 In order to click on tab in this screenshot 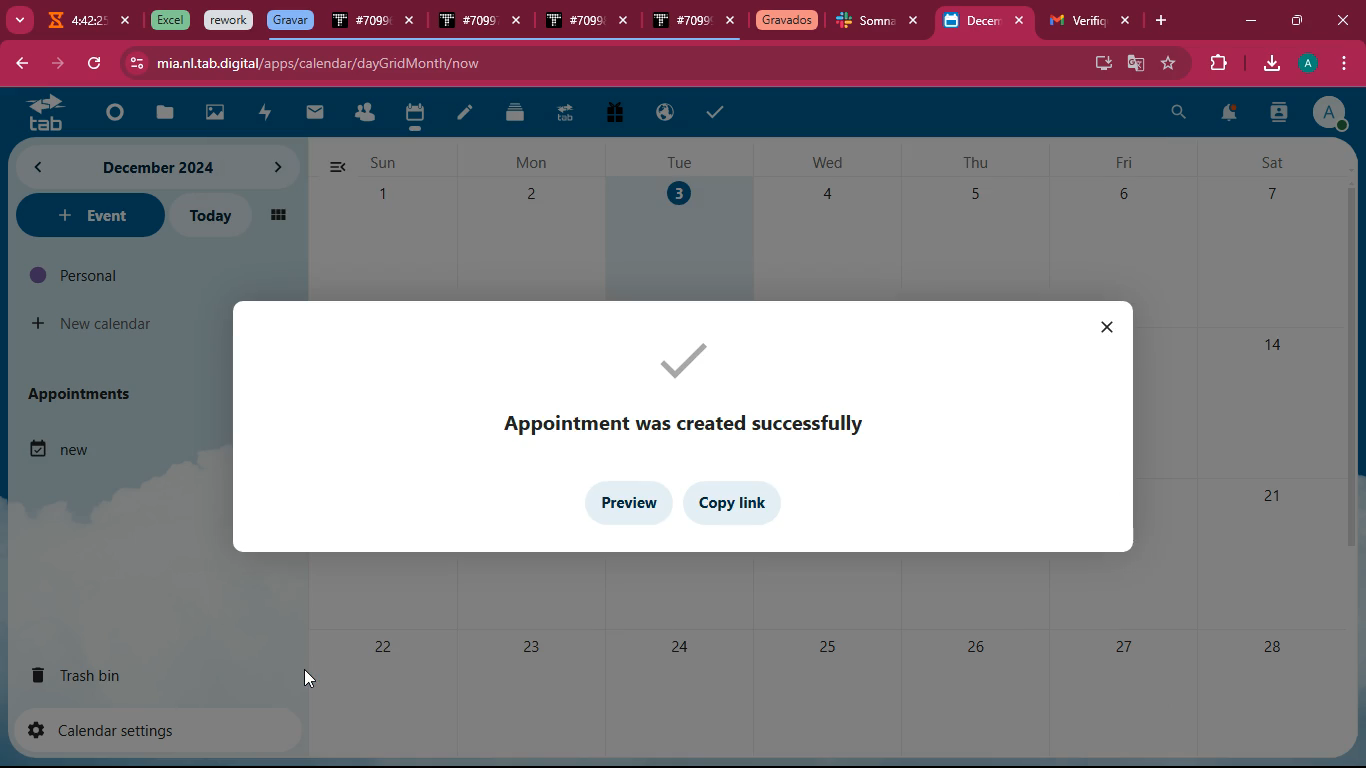, I will do `click(167, 20)`.